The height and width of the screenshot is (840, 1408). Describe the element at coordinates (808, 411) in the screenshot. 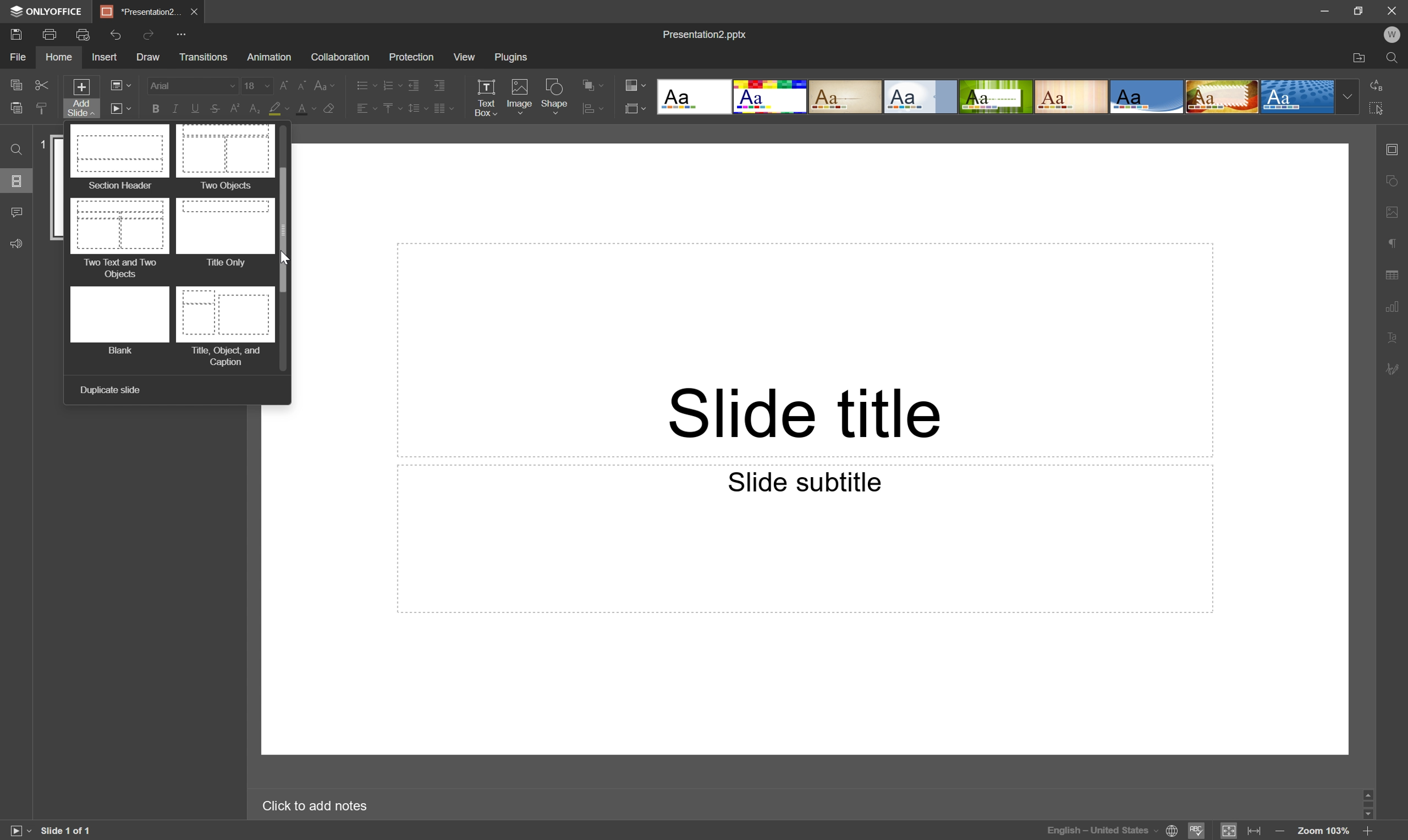

I see `Slide title` at that location.